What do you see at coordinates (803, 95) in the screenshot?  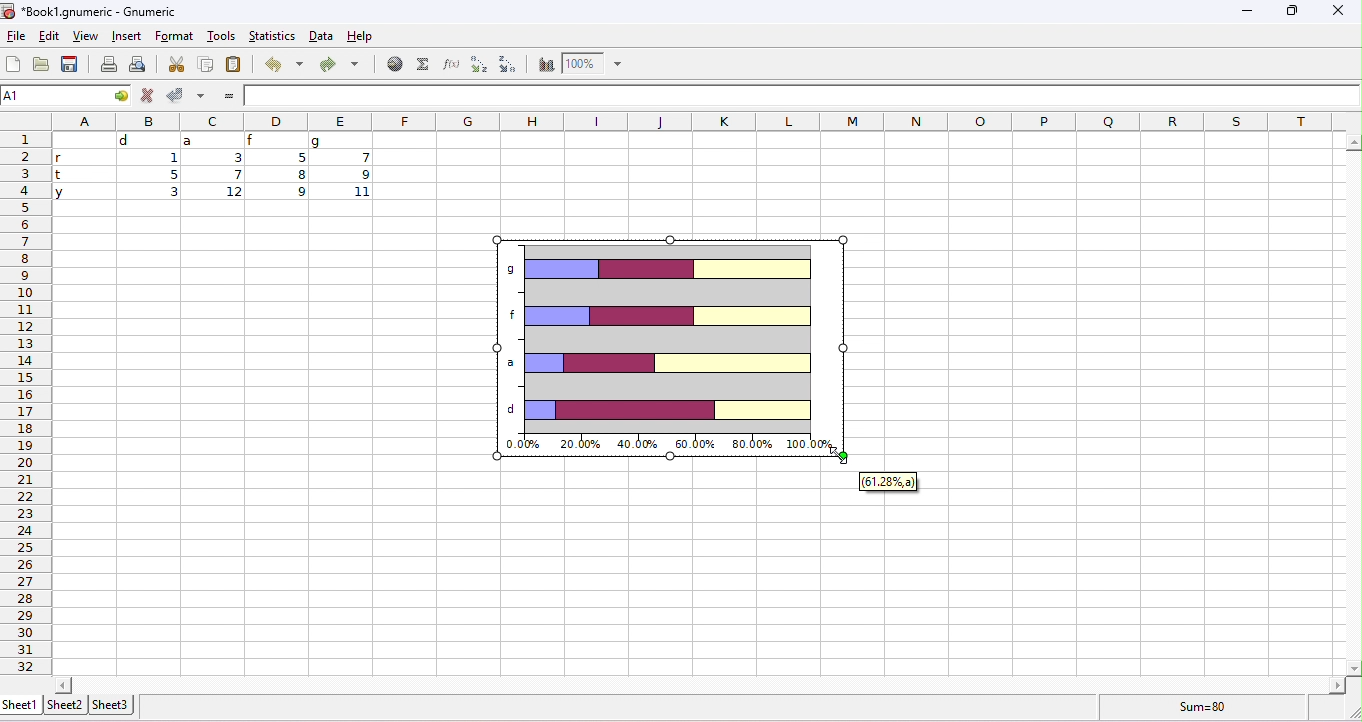 I see `formula bar` at bounding box center [803, 95].